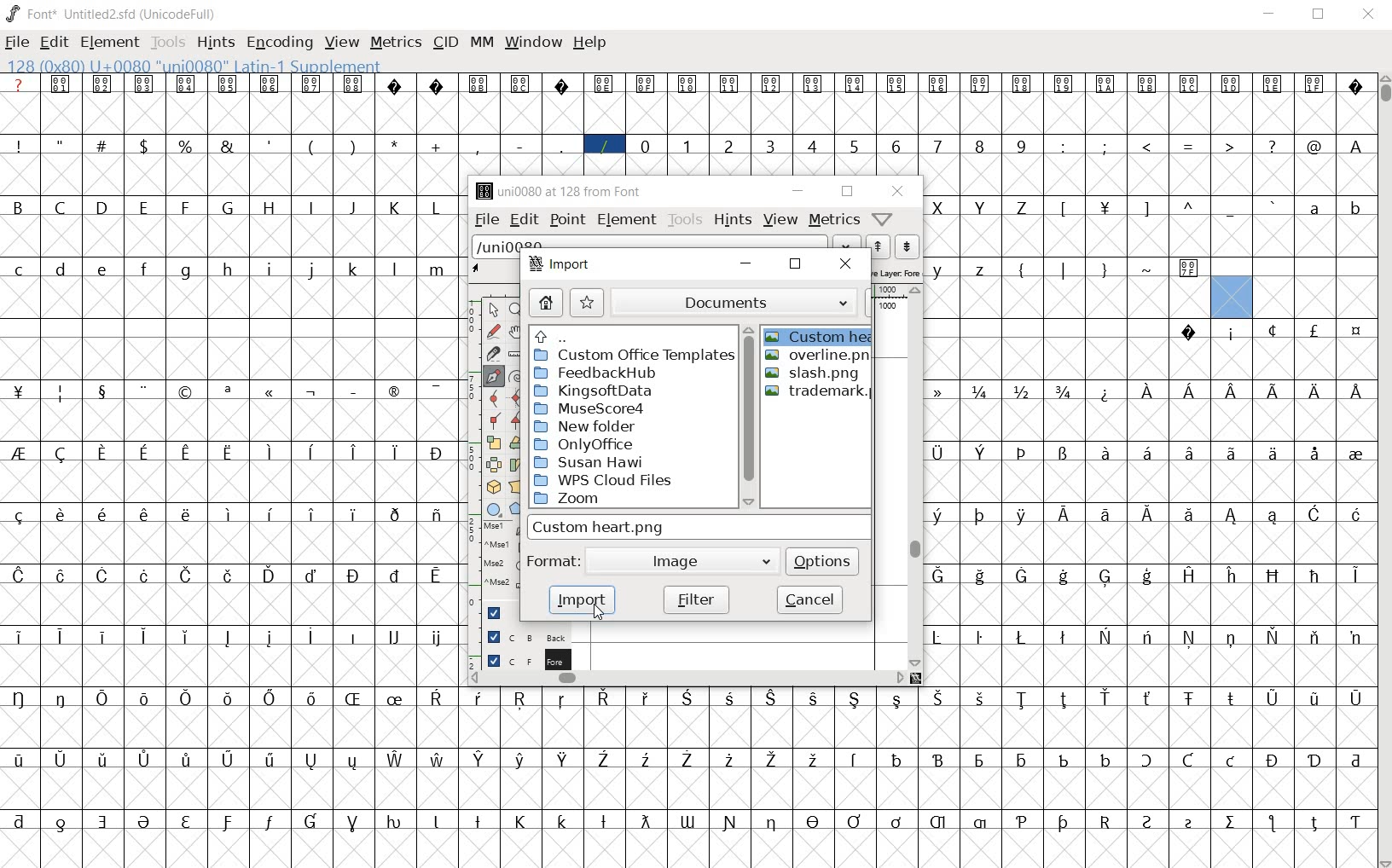 This screenshot has width=1392, height=868. Describe the element at coordinates (772, 824) in the screenshot. I see `glyph` at that location.